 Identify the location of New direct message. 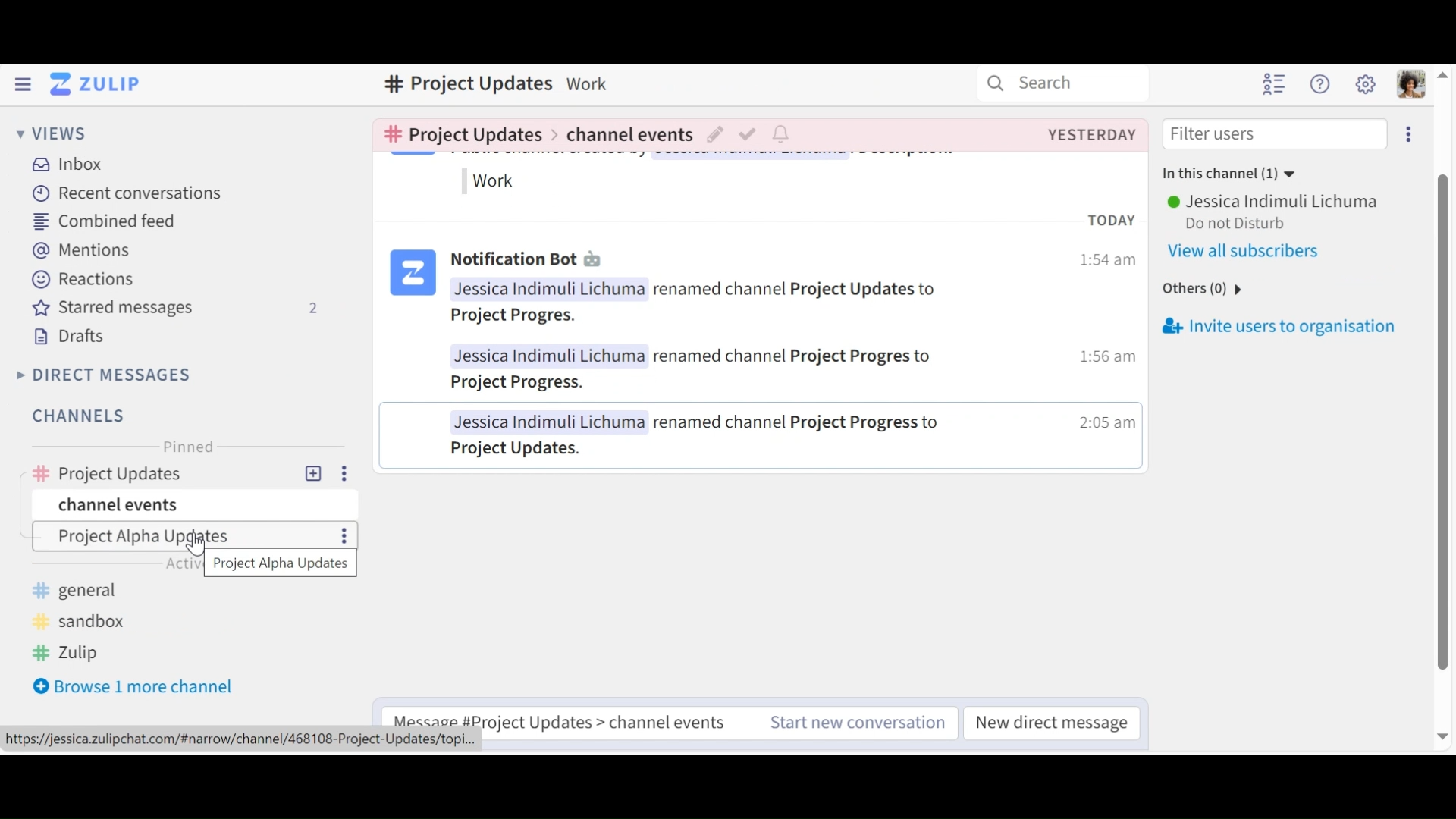
(1054, 720).